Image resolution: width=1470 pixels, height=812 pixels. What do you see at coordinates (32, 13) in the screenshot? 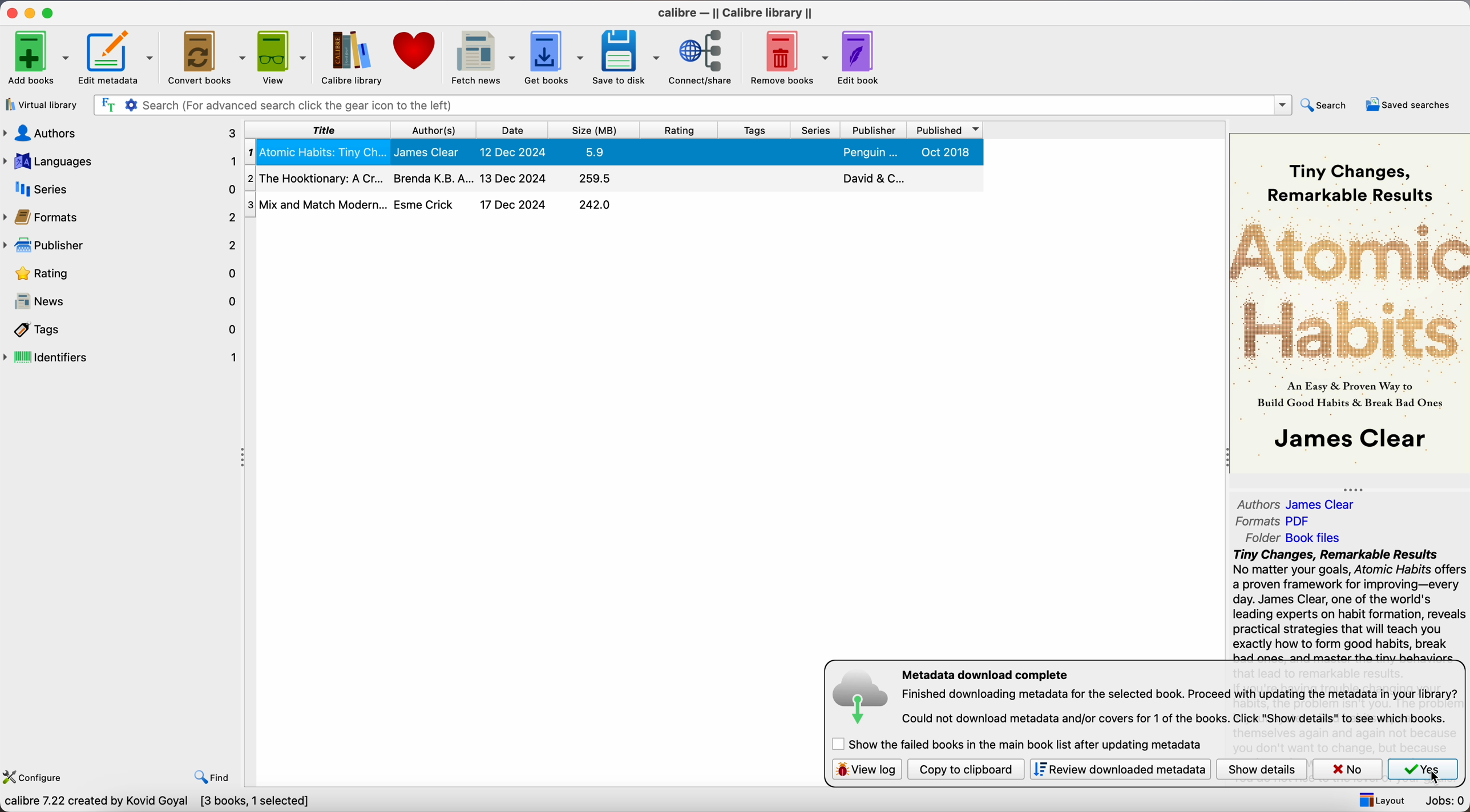
I see `minimize app` at bounding box center [32, 13].